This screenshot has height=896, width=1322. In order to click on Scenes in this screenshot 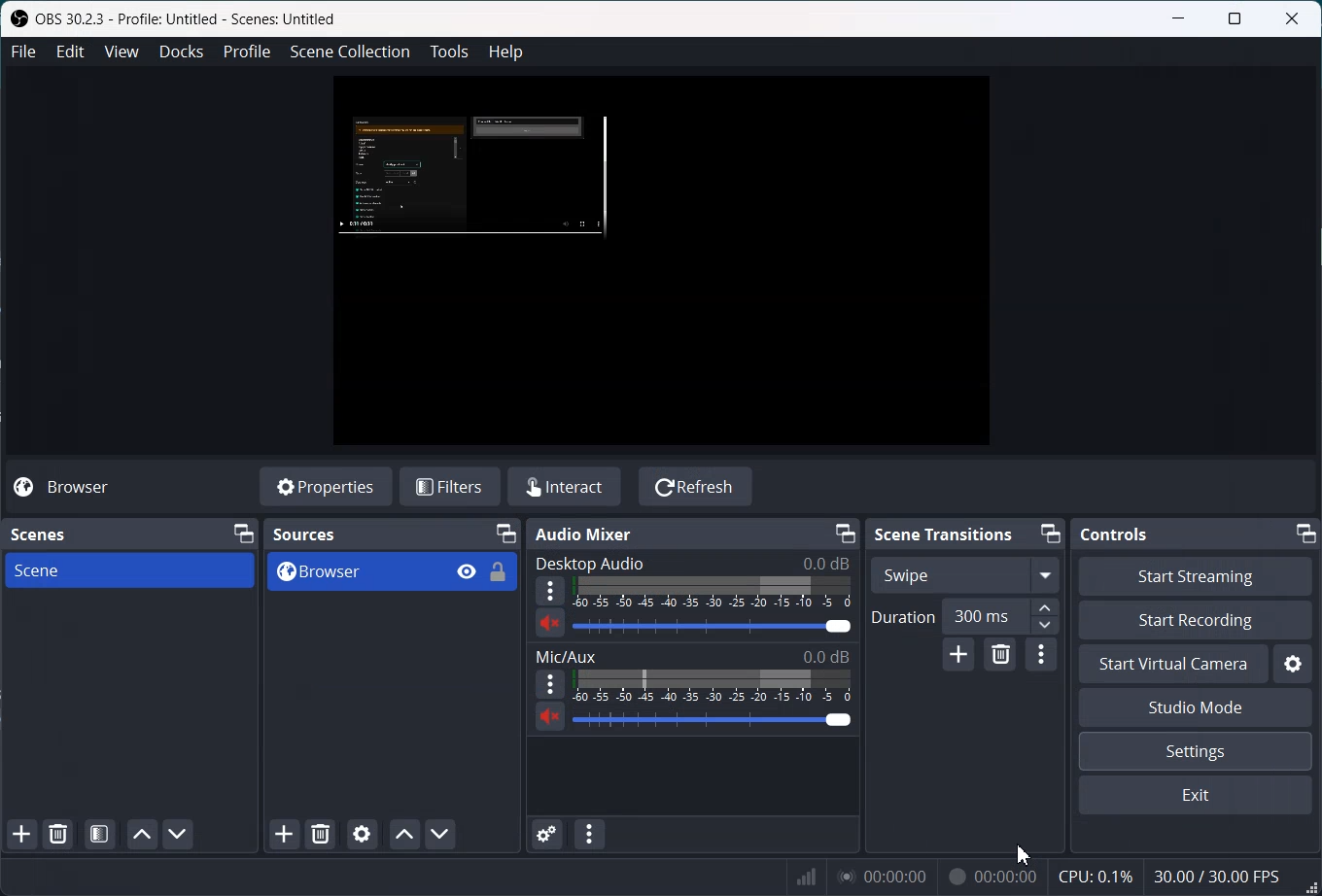, I will do `click(38, 535)`.